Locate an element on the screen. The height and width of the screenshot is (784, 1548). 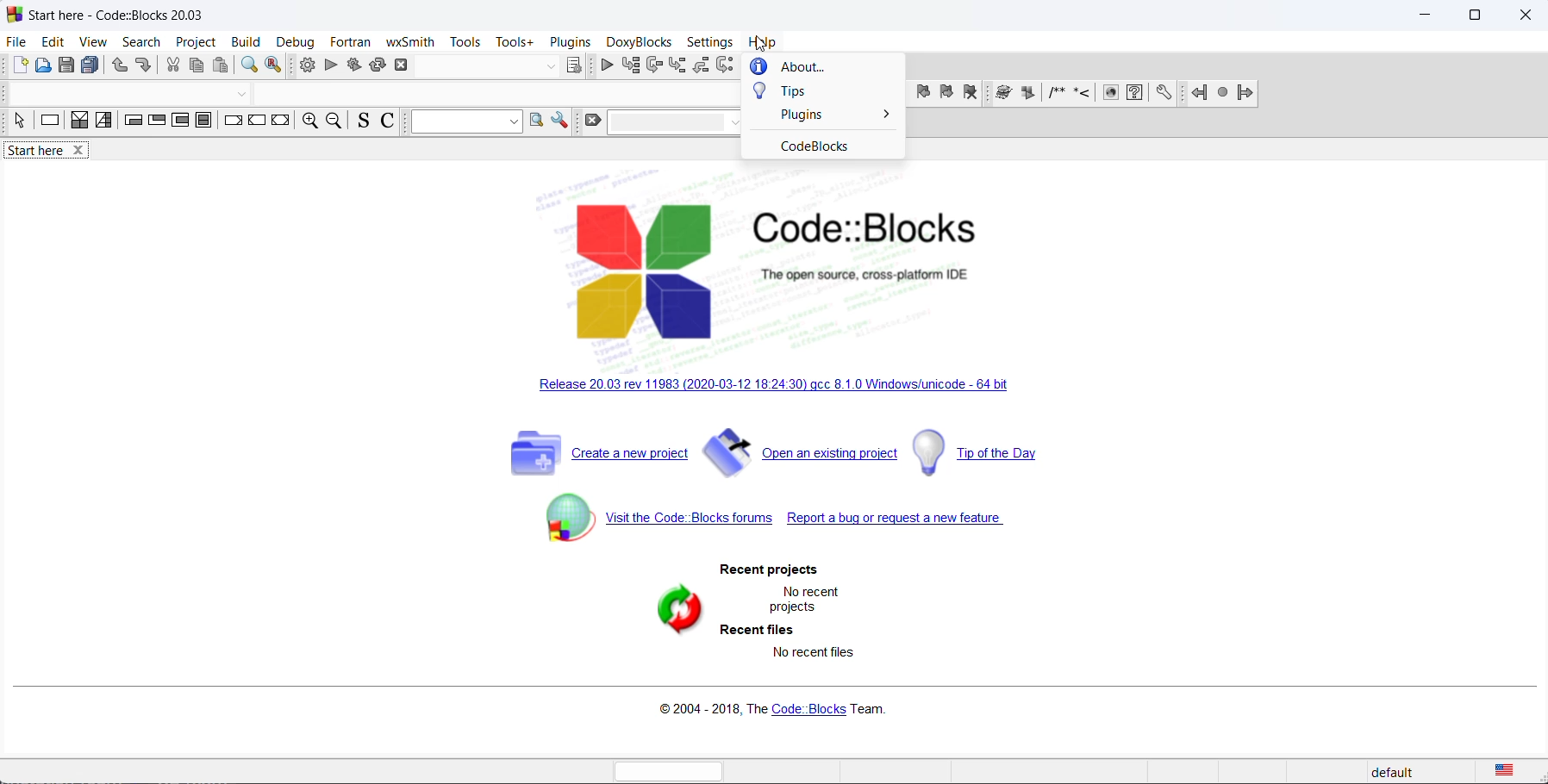
step out is located at coordinates (701, 65).